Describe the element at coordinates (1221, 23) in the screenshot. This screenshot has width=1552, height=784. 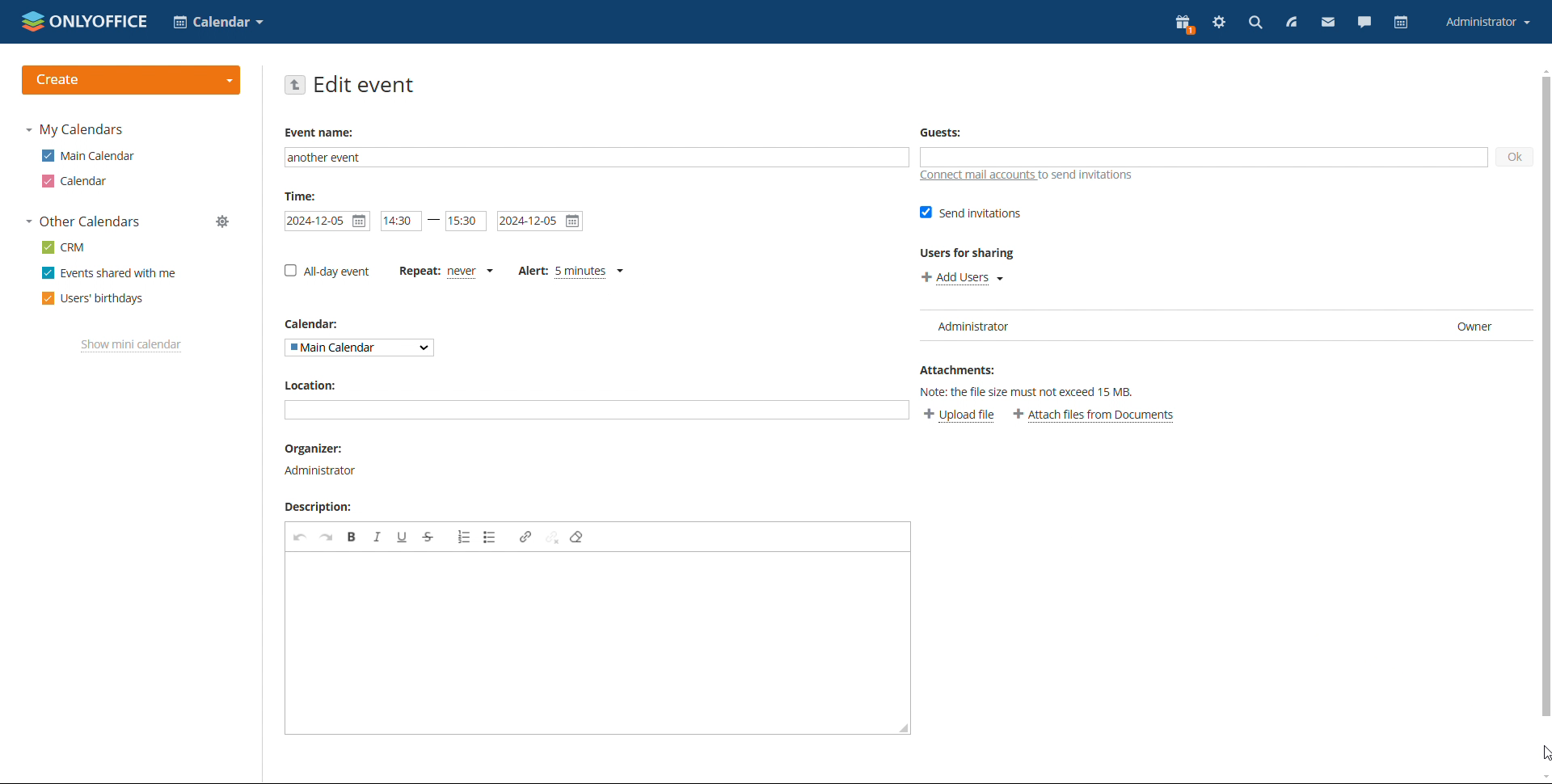
I see `settings` at that location.